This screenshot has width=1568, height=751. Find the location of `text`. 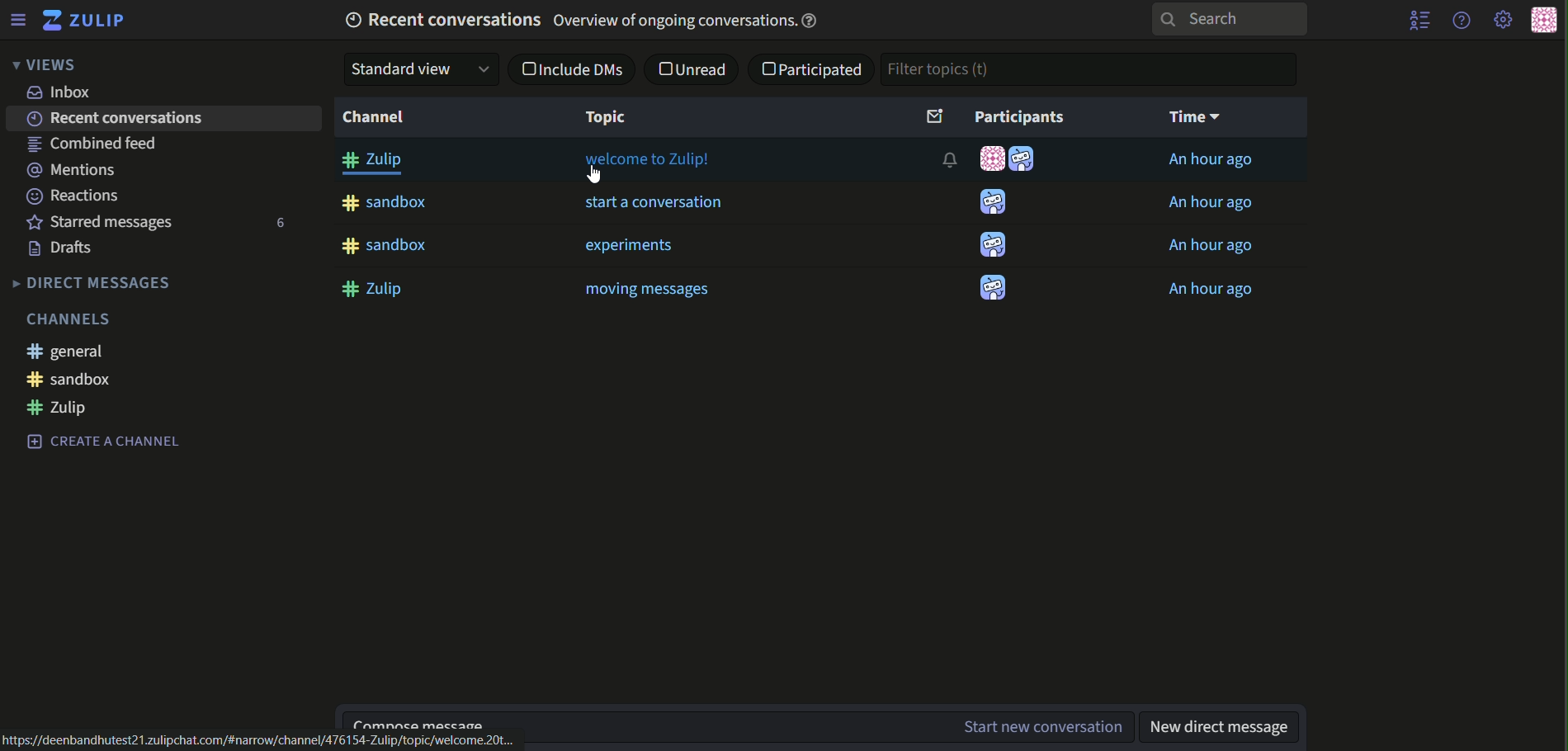

text is located at coordinates (262, 741).